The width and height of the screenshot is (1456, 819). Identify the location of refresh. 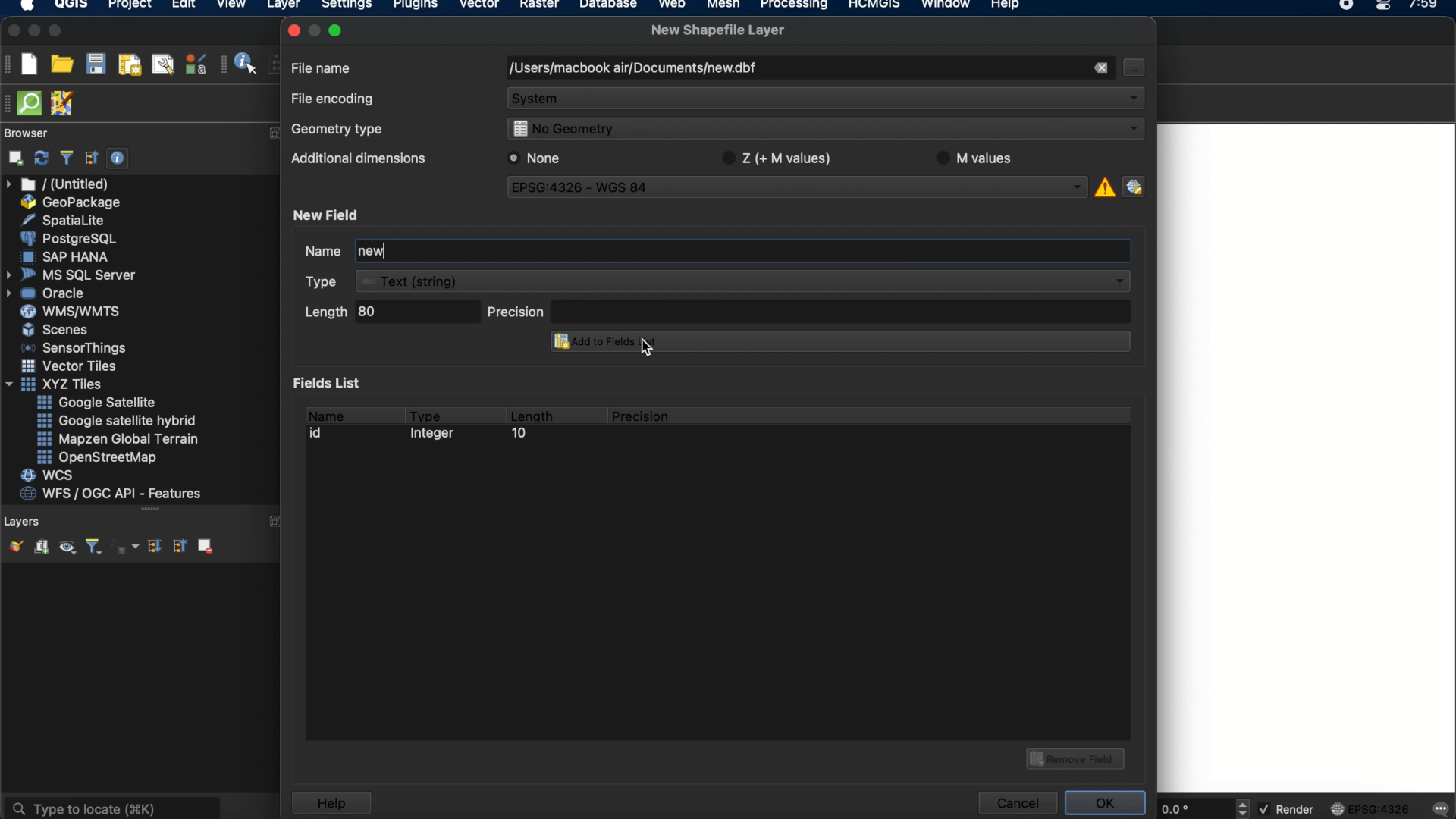
(42, 158).